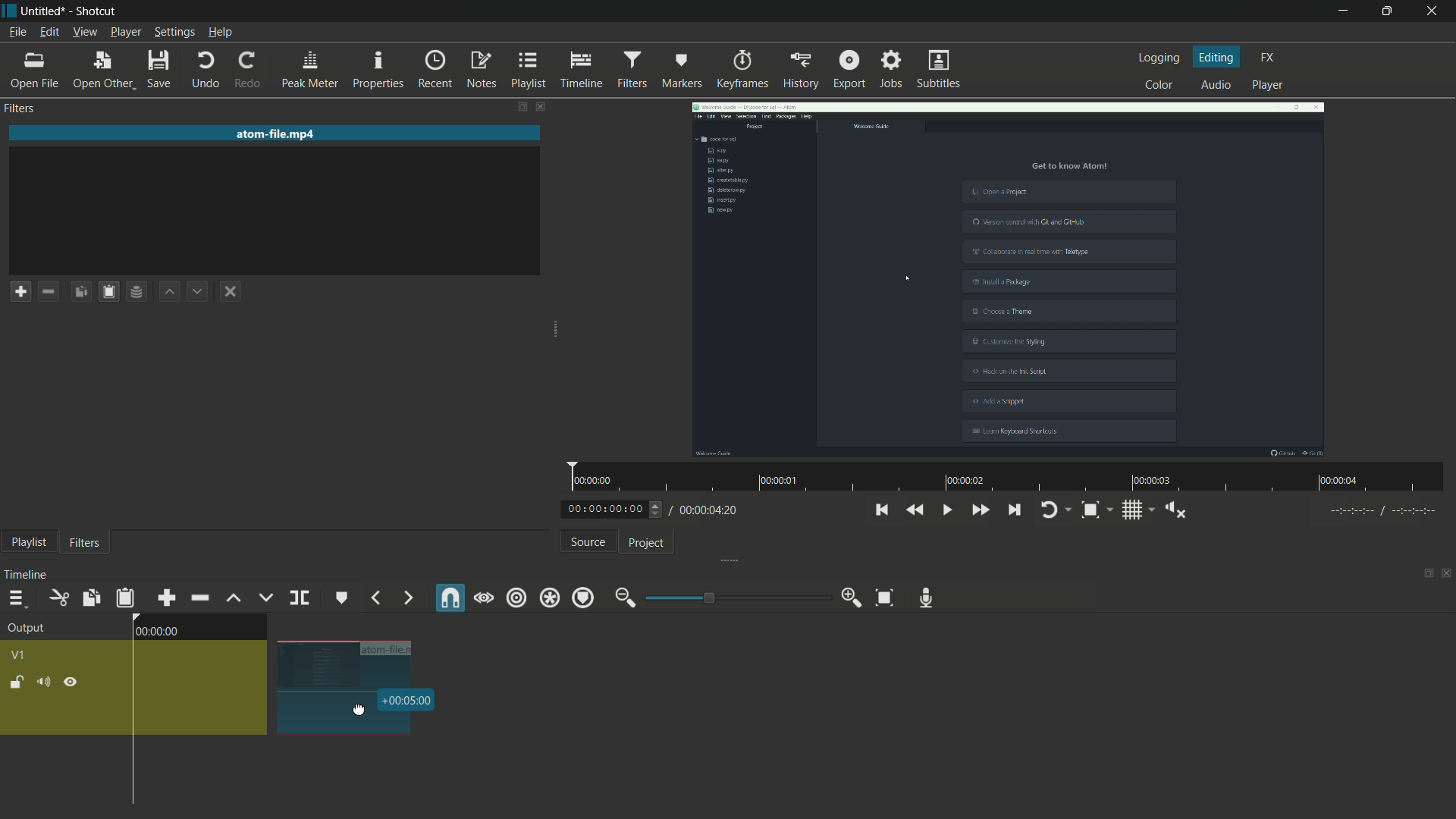  I want to click on scrub while dragging, so click(484, 598).